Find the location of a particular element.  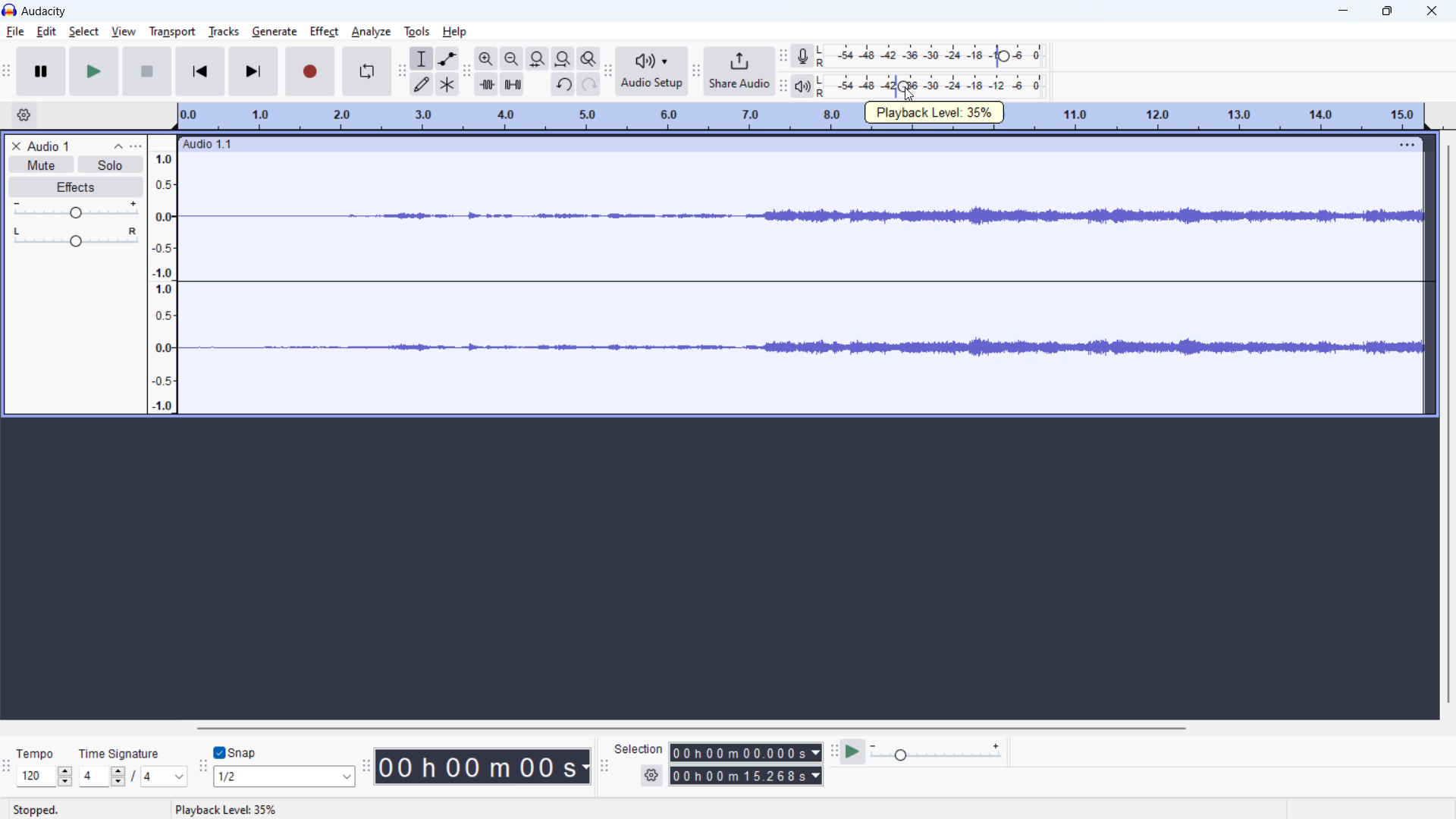

record is located at coordinates (310, 72).